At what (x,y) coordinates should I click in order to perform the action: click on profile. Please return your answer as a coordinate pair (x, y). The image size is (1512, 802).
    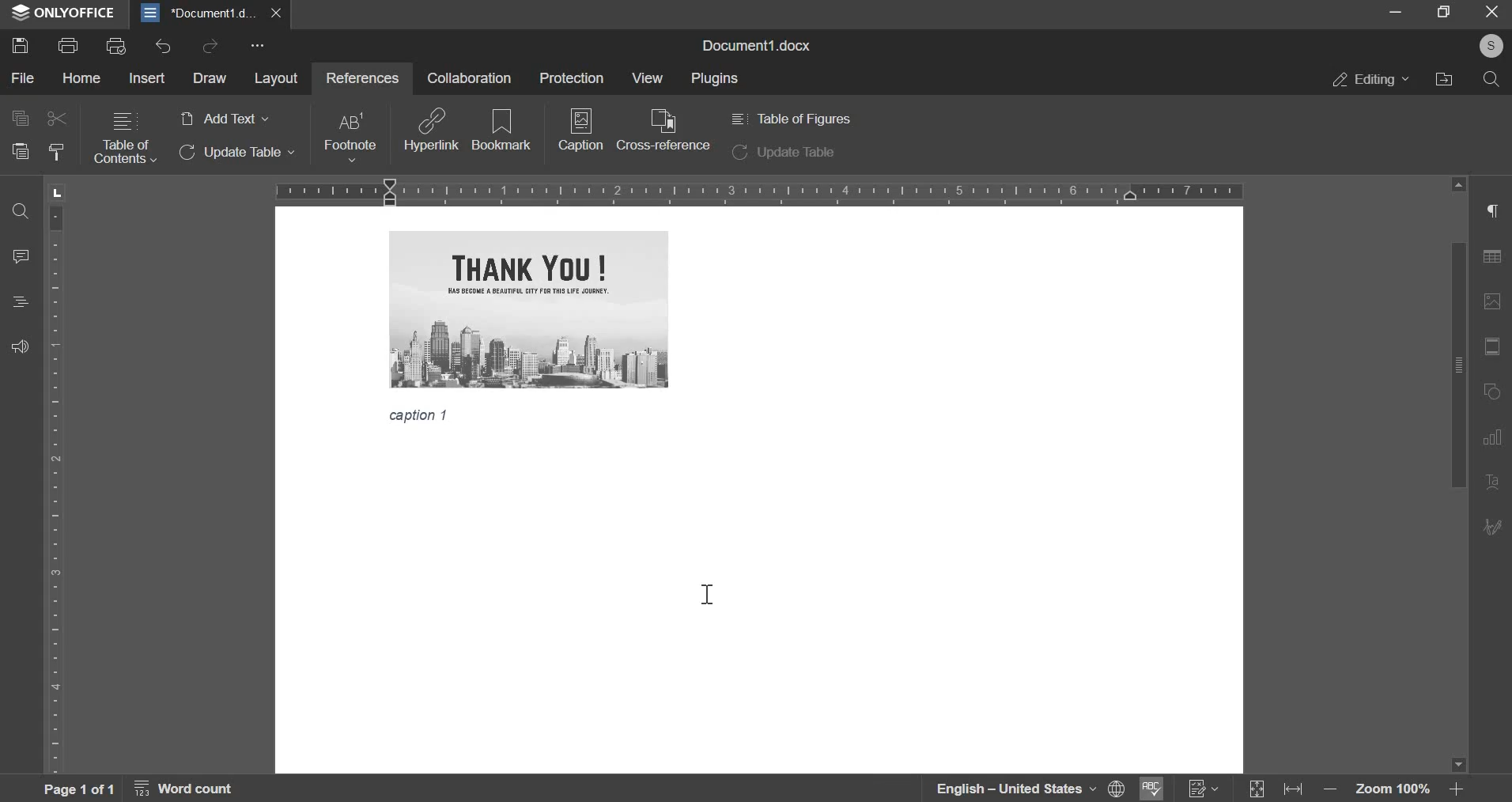
    Looking at the image, I should click on (1489, 46).